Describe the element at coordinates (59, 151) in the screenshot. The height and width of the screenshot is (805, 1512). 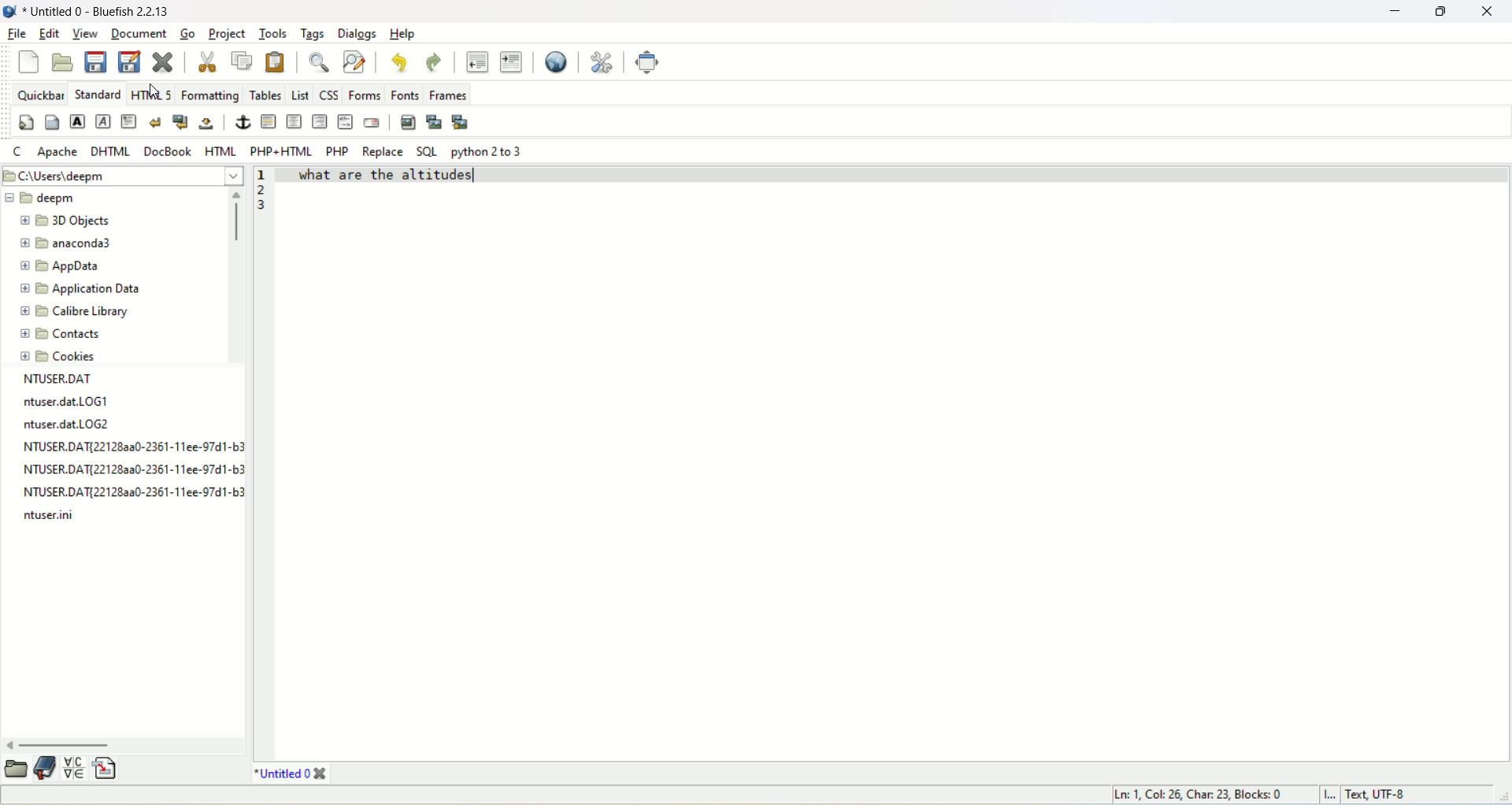
I see `Apache` at that location.